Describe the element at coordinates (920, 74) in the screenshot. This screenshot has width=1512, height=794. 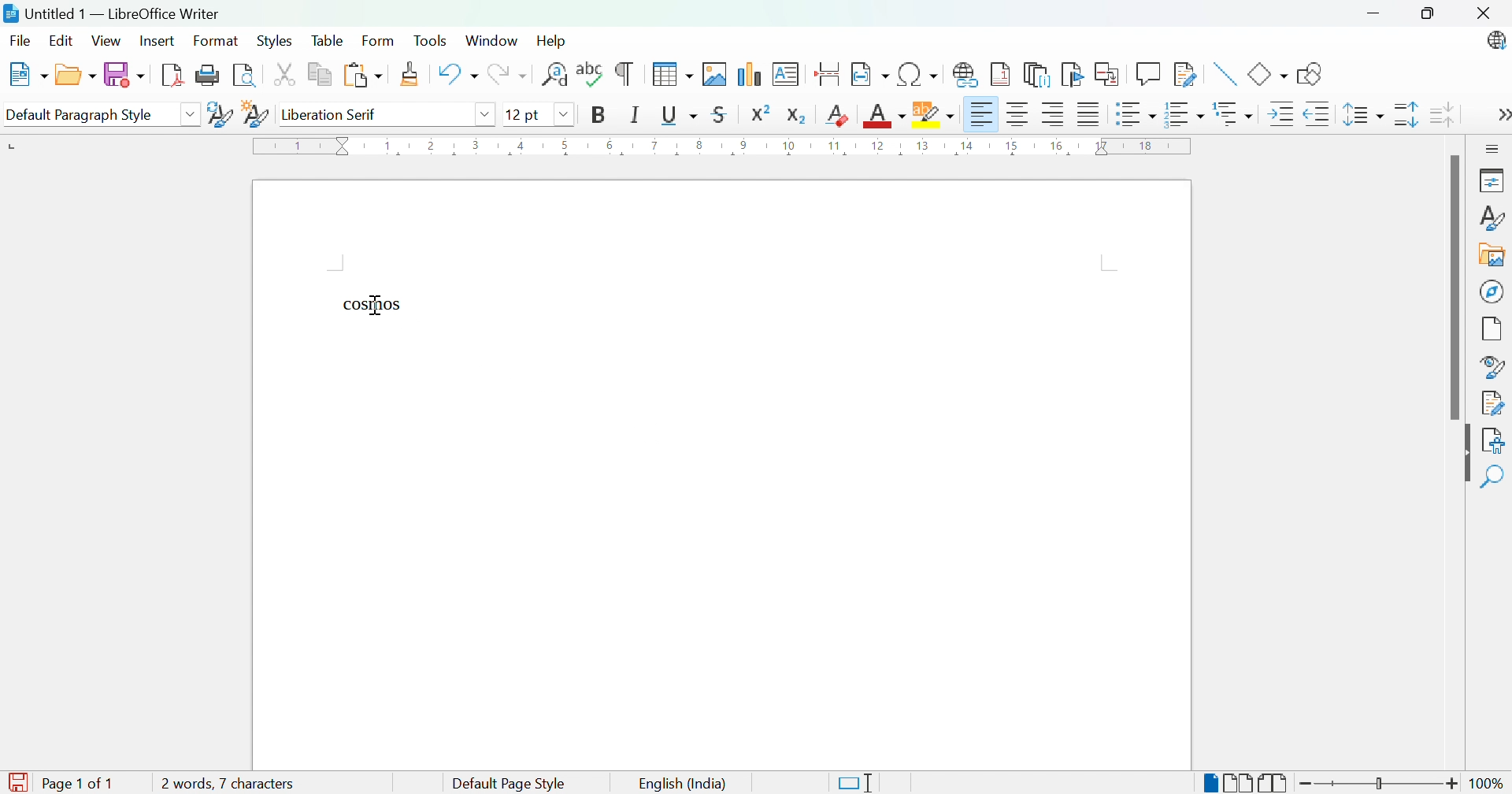
I see `Insert special characters` at that location.